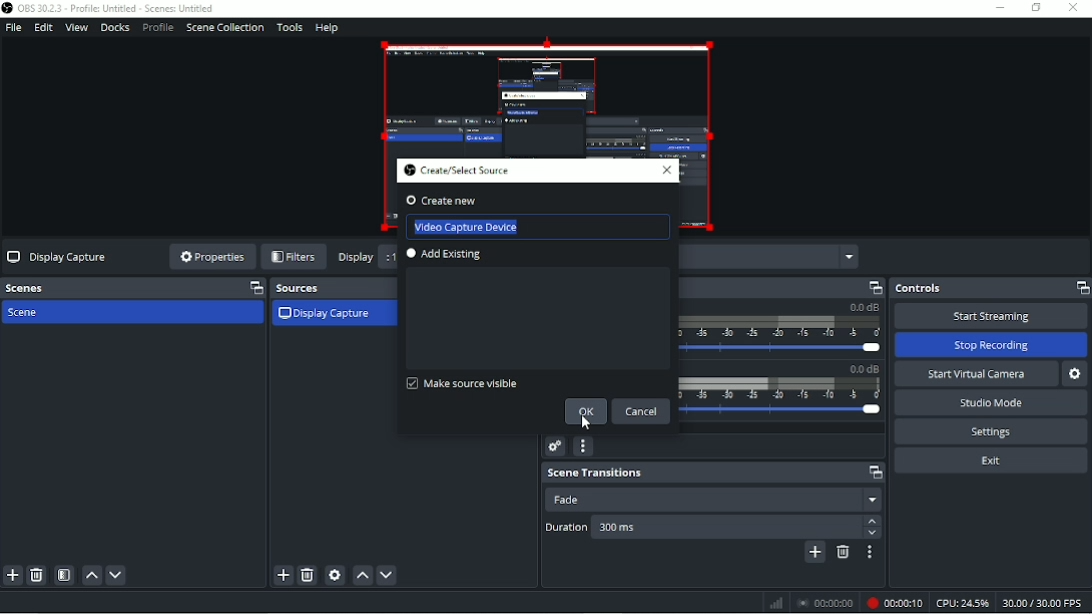  Describe the element at coordinates (711, 472) in the screenshot. I see `Scene transitions` at that location.